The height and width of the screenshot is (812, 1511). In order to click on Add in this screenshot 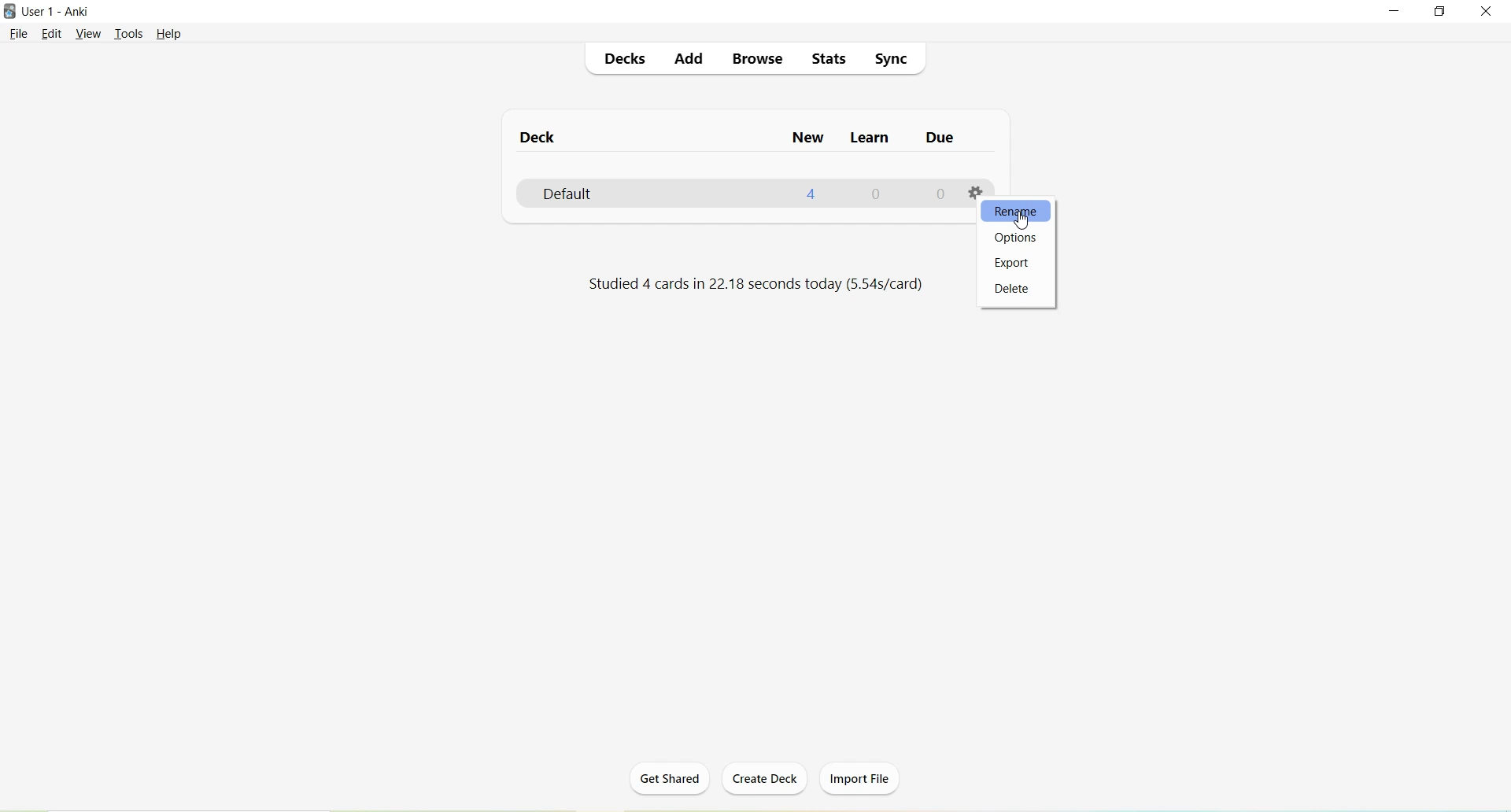, I will do `click(690, 59)`.